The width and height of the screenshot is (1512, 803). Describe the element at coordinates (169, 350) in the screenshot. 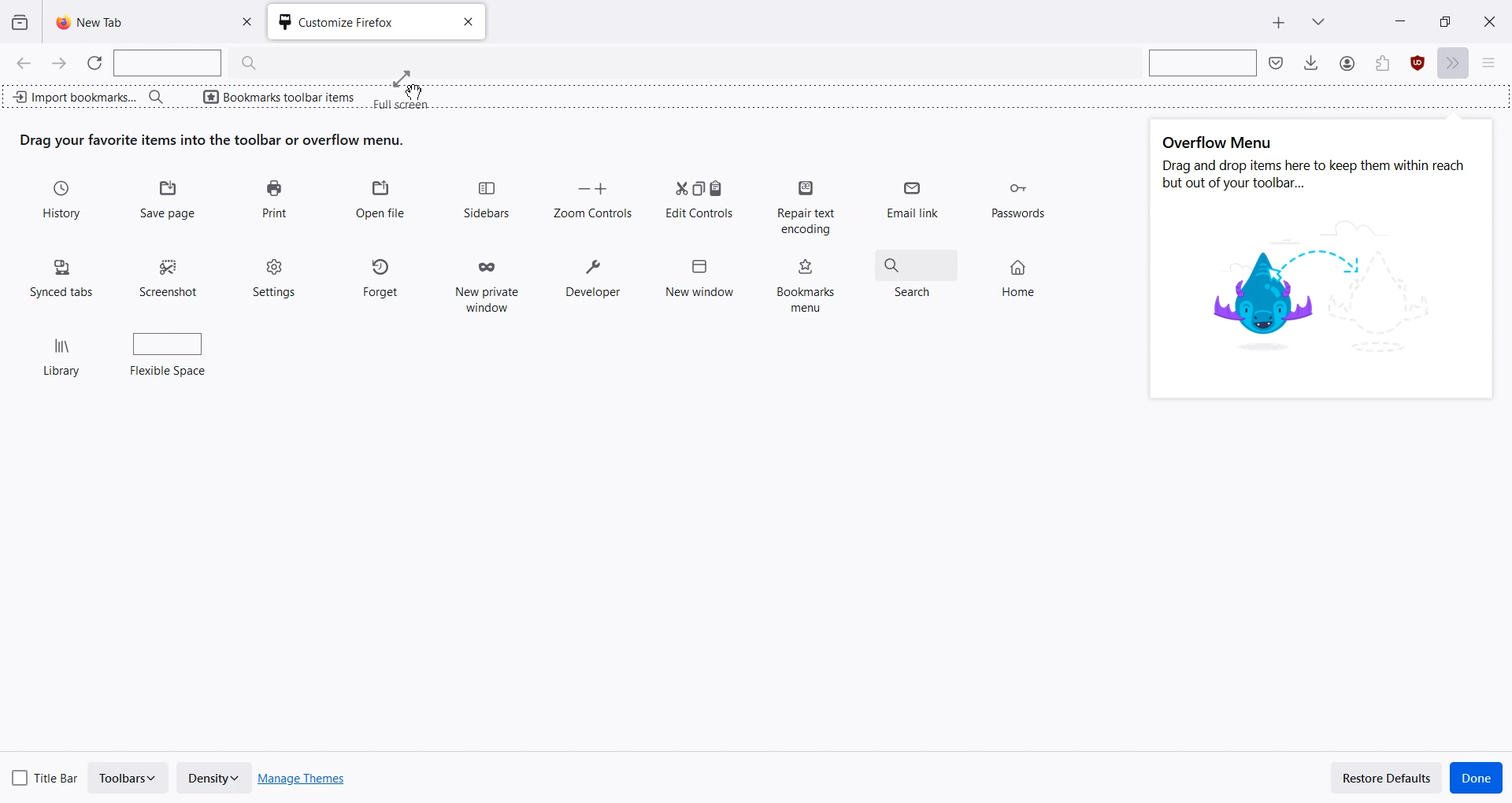

I see `Flexible space` at that location.